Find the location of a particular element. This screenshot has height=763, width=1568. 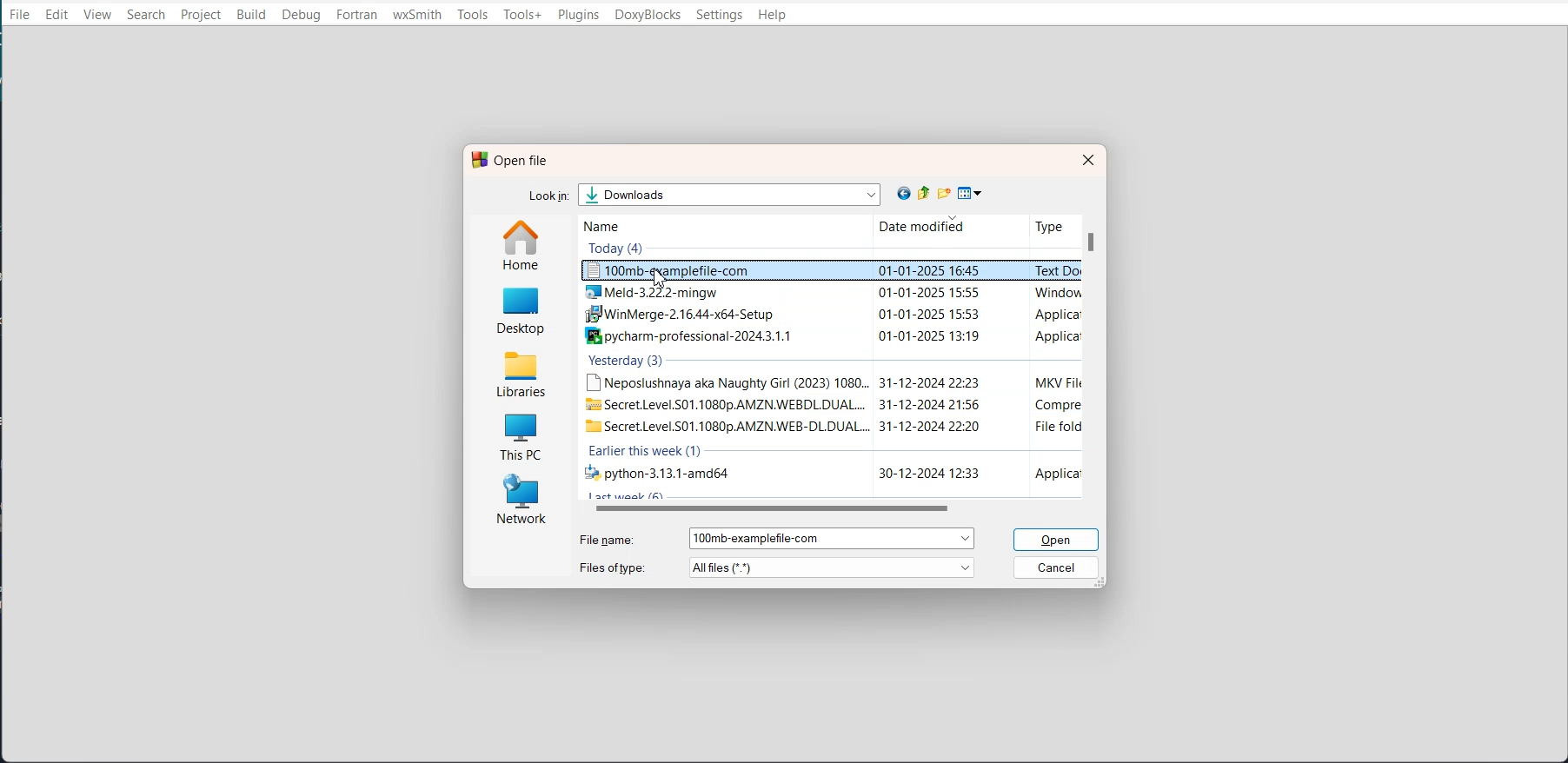

earlier this week (1) is located at coordinates (647, 452).